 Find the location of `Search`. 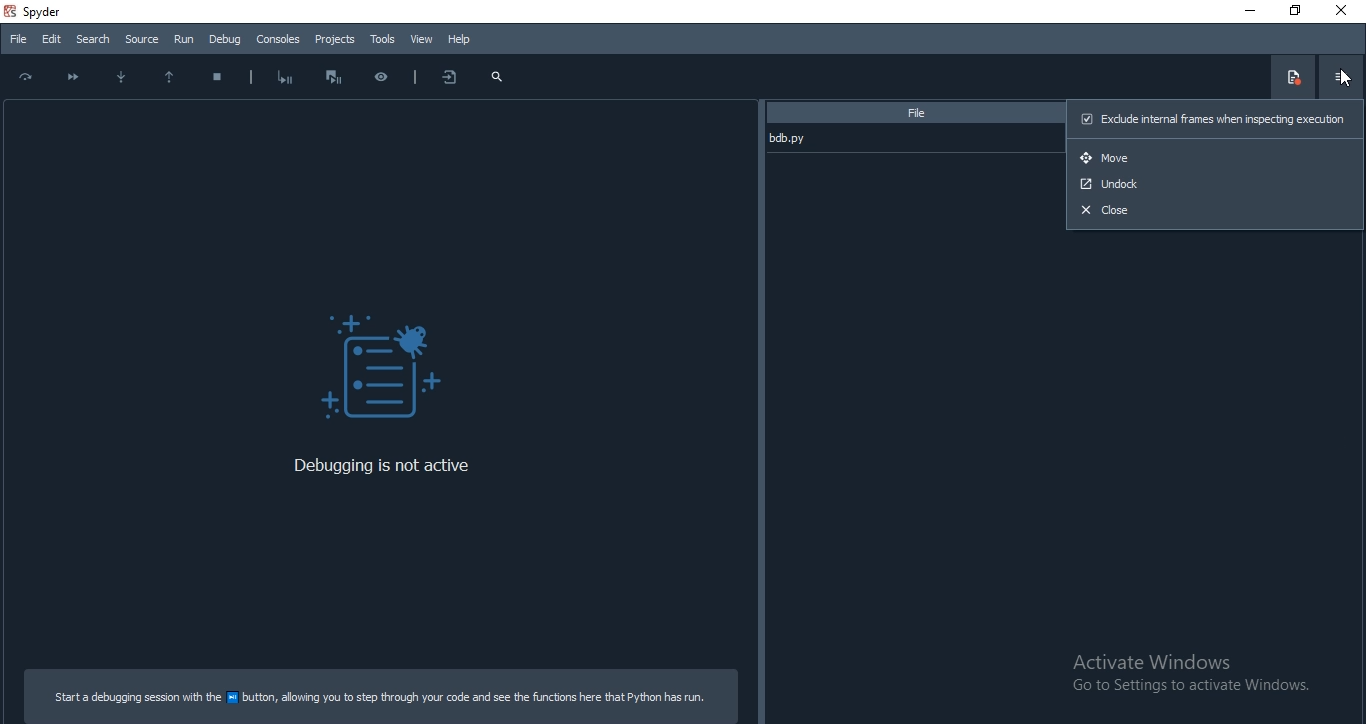

Search is located at coordinates (92, 39).